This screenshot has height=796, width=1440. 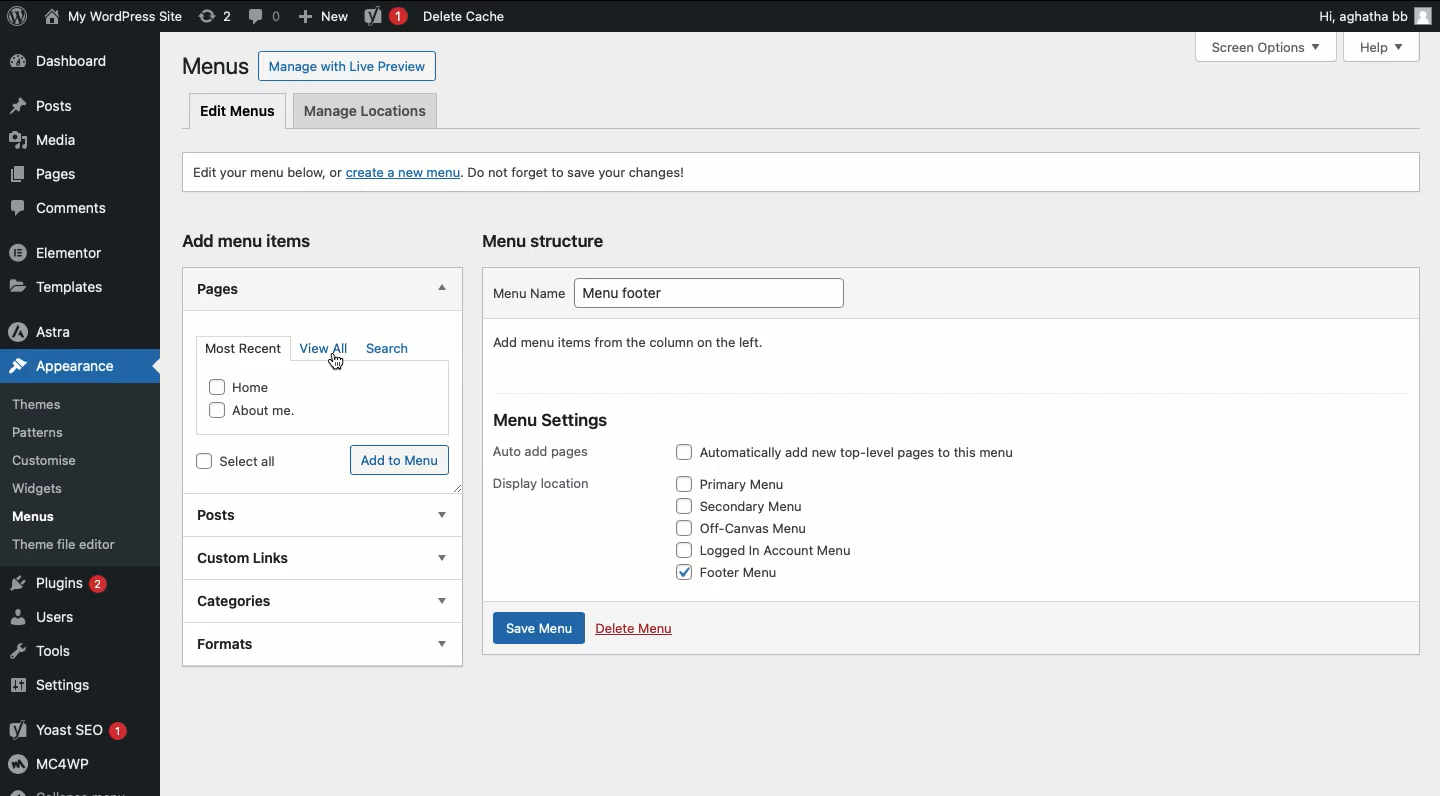 What do you see at coordinates (764, 508) in the screenshot?
I see `Secondary menu` at bounding box center [764, 508].